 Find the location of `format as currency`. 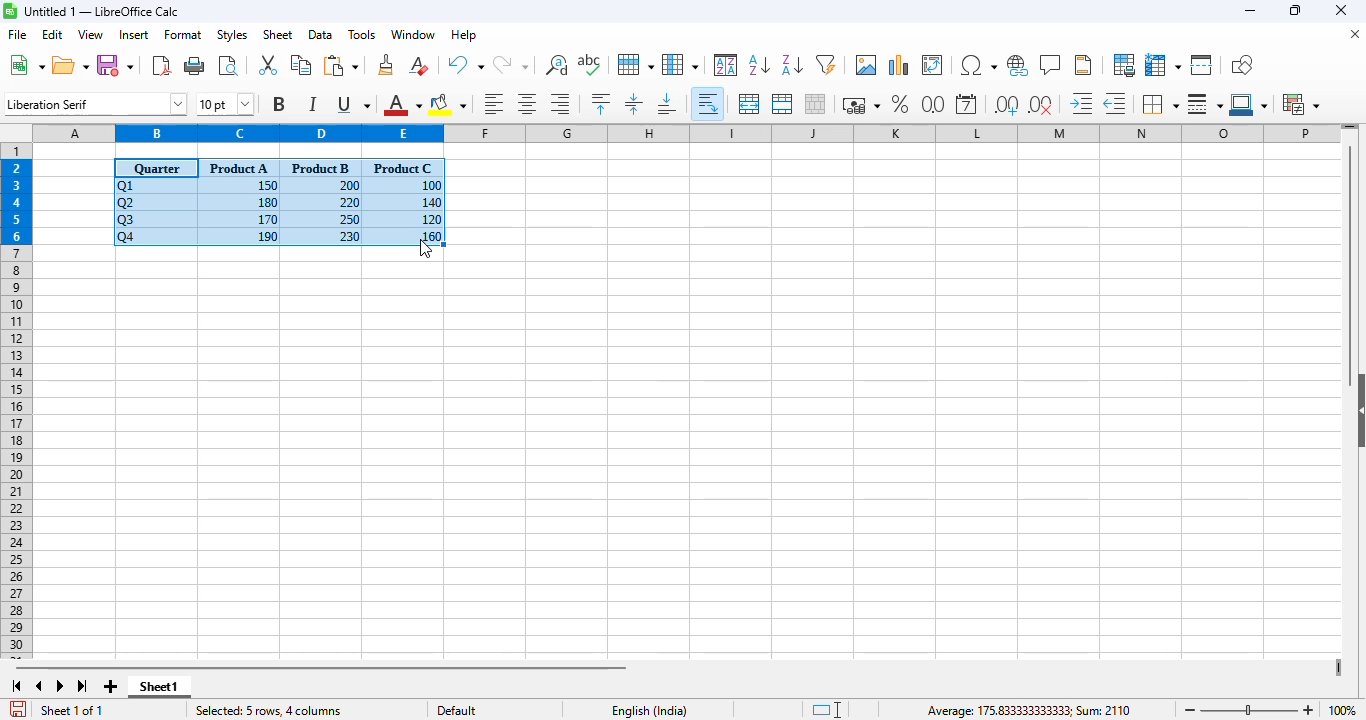

format as currency is located at coordinates (860, 105).